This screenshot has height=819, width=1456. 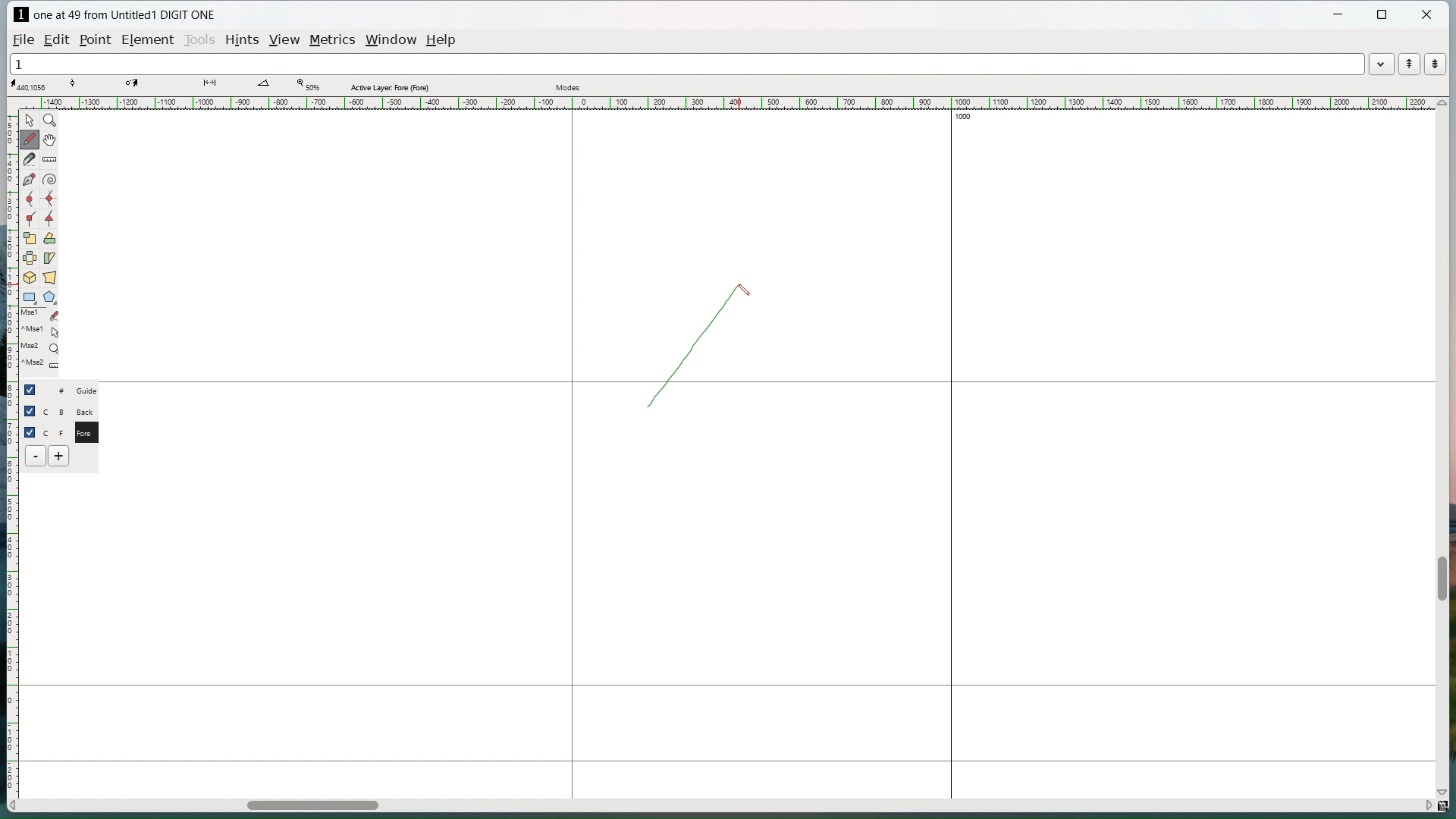 I want to click on add layer, so click(x=60, y=456).